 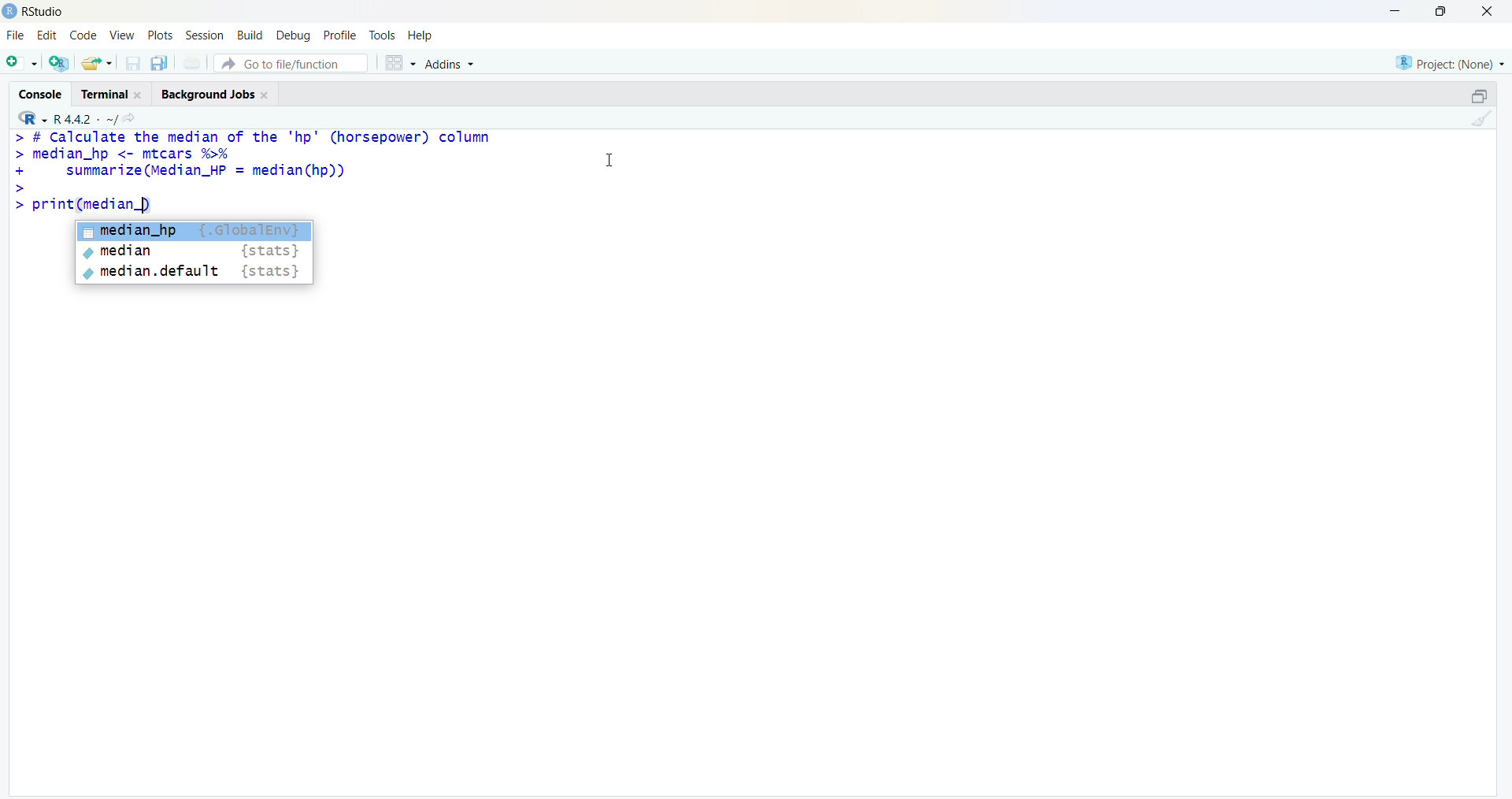 I want to click on cursor, so click(x=610, y=162).